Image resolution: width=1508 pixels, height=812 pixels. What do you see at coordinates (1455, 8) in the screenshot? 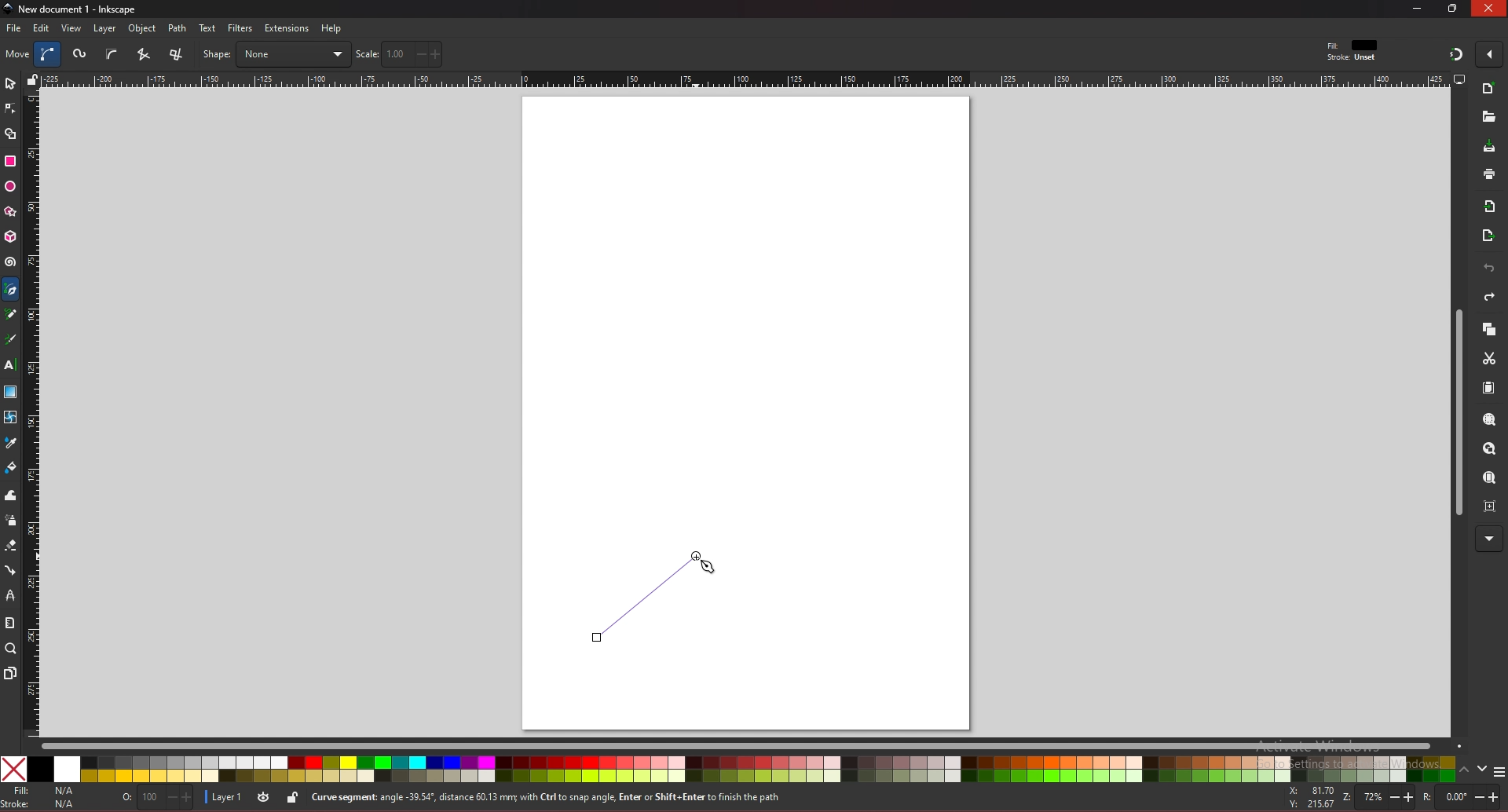
I see `resize` at bounding box center [1455, 8].